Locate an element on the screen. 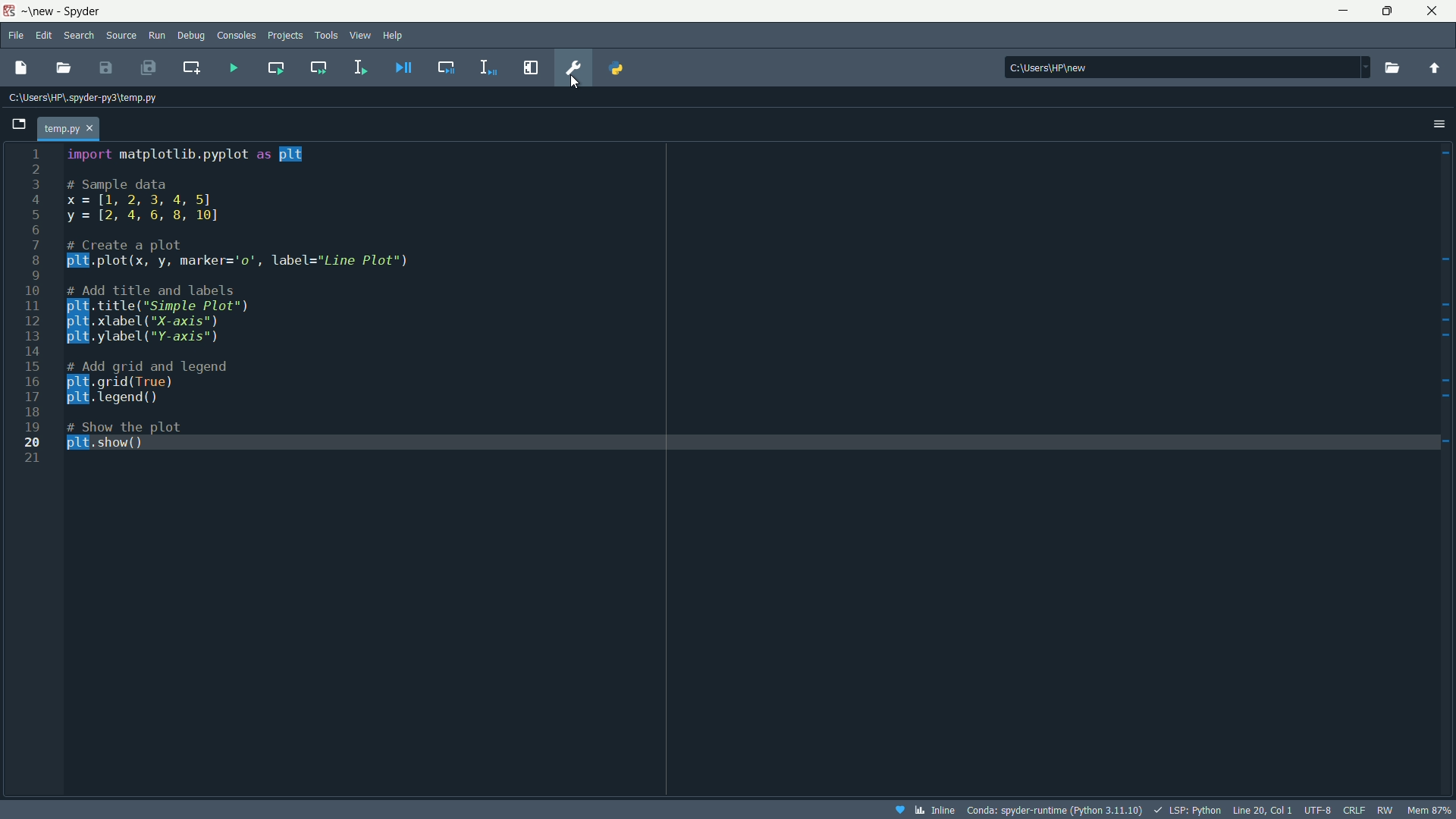 Image resolution: width=1456 pixels, height=819 pixels. temp.py  is located at coordinates (71, 127).